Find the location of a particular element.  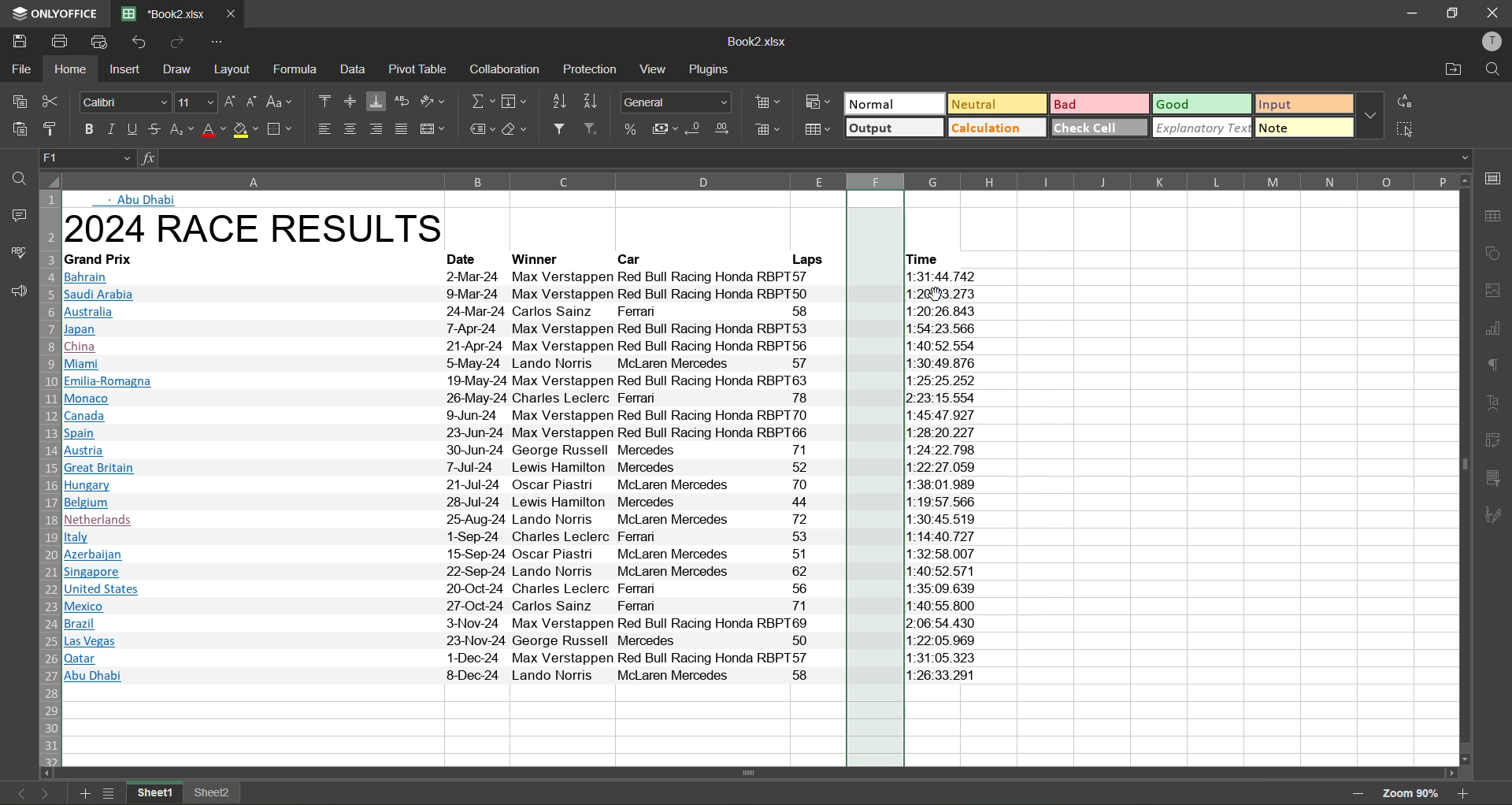

images is located at coordinates (1497, 290).